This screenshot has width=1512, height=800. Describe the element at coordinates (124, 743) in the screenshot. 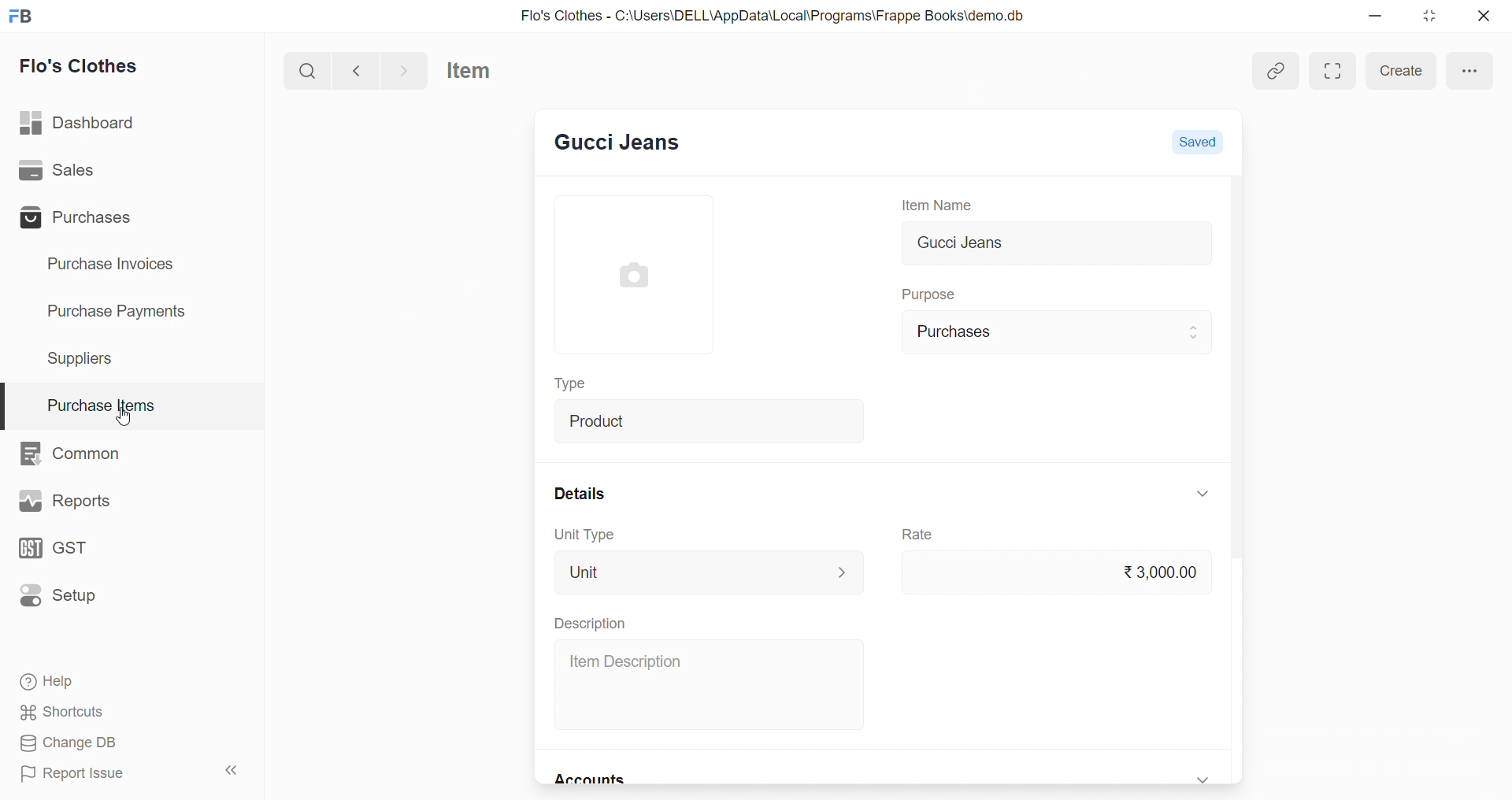

I see `Change DB` at that location.